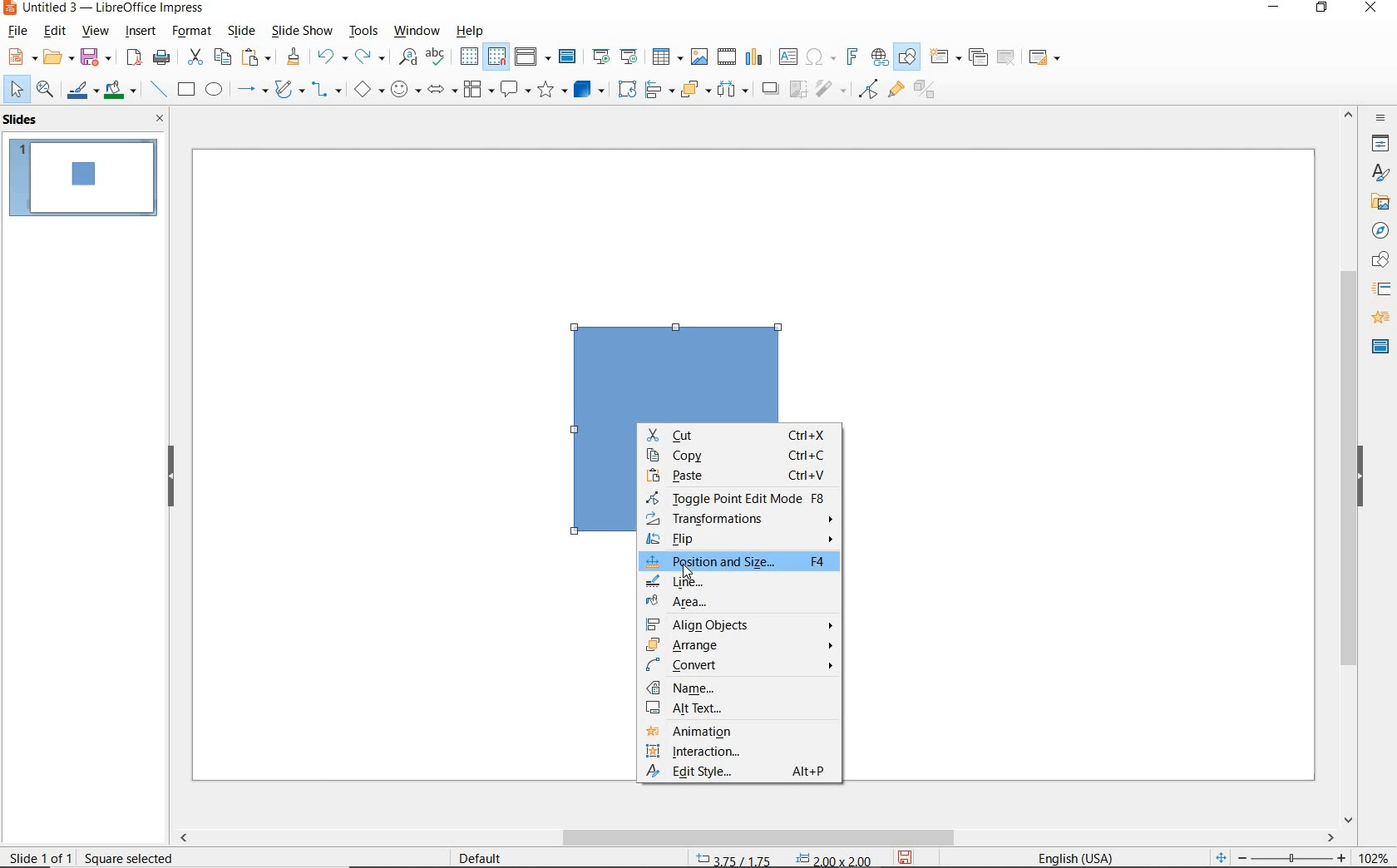 The width and height of the screenshot is (1397, 868). Describe the element at coordinates (740, 646) in the screenshot. I see `ARRANGE` at that location.